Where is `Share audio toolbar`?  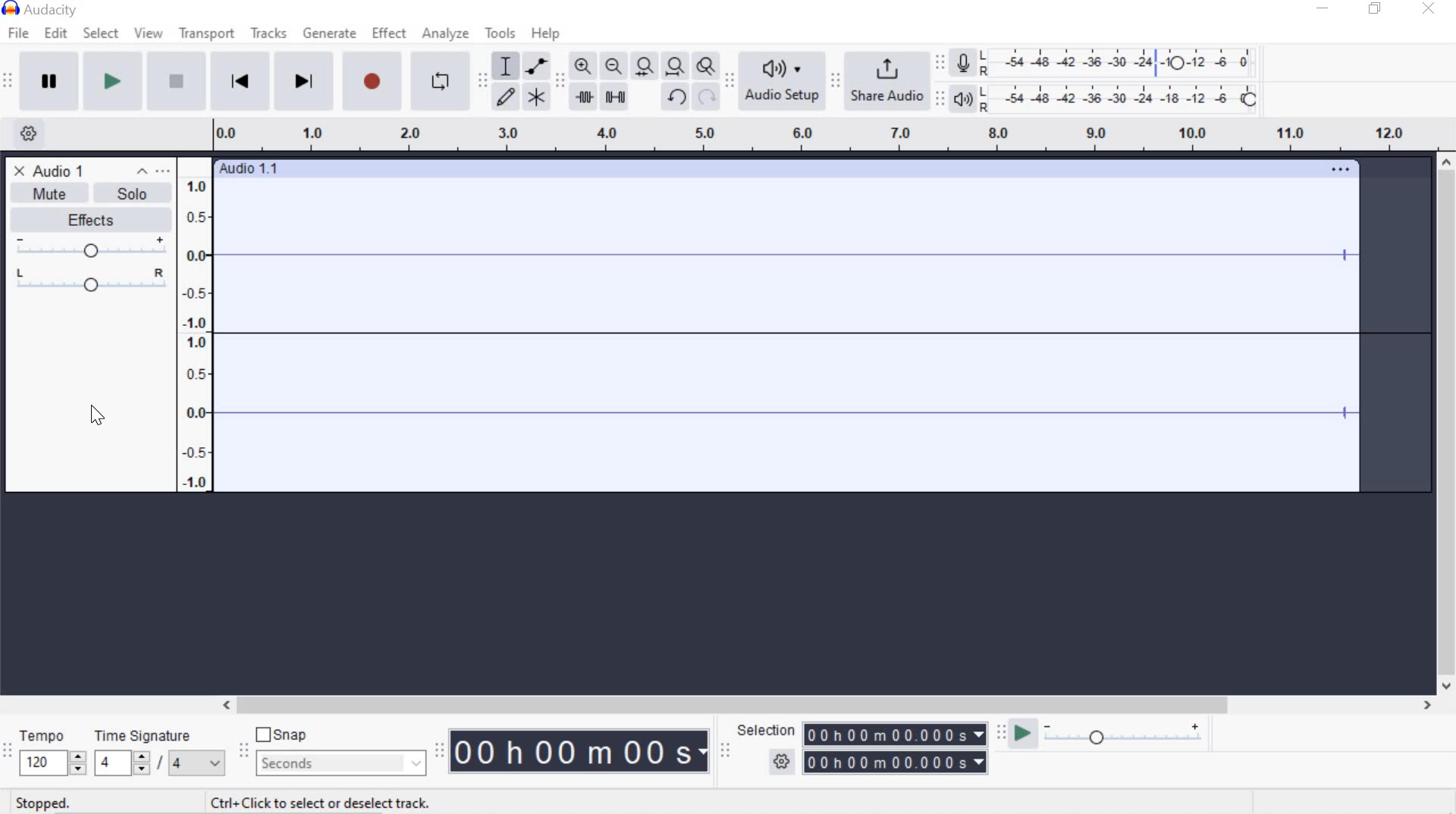
Share audio toolbar is located at coordinates (834, 80).